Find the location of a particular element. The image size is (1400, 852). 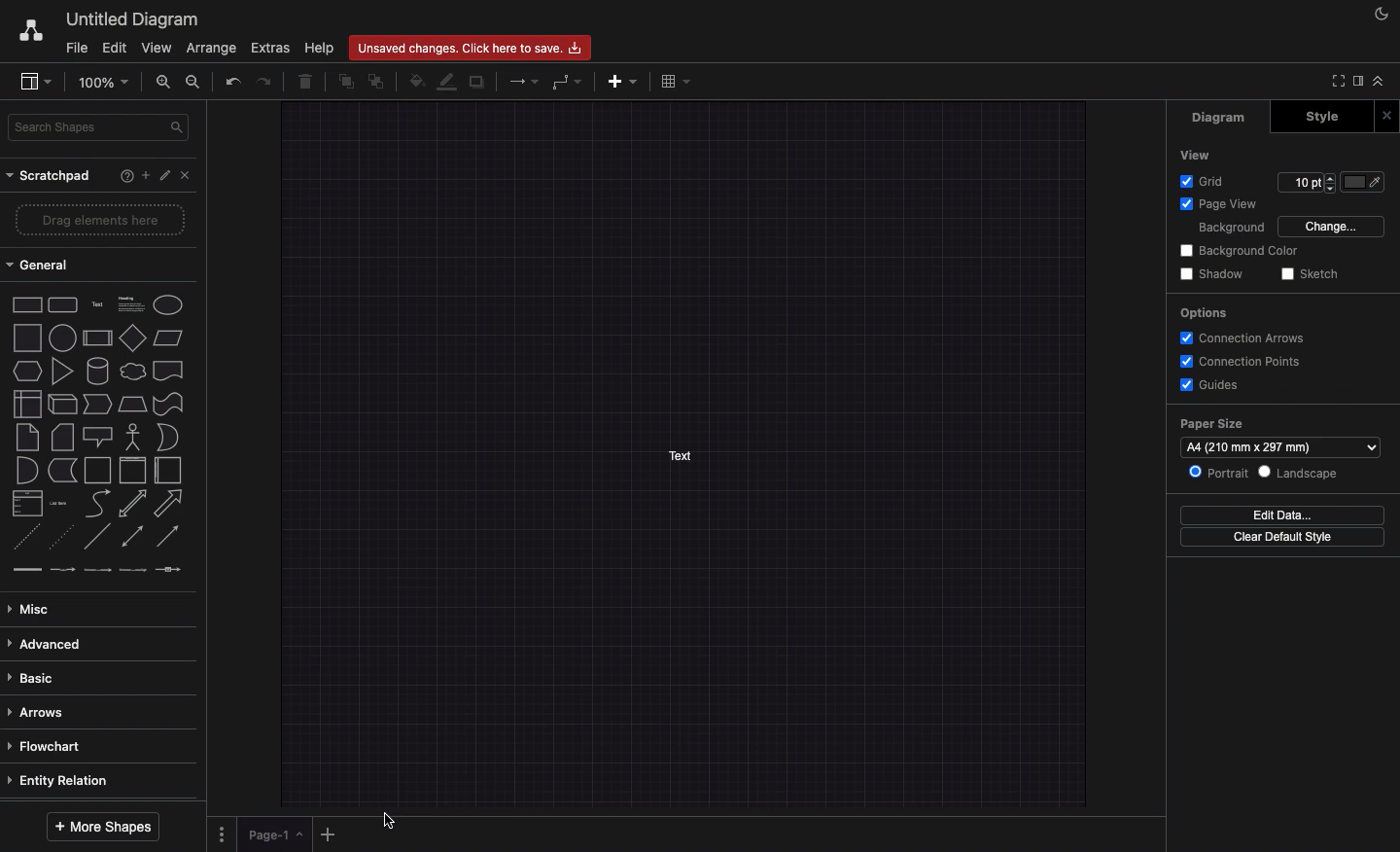

Extras is located at coordinates (268, 47).